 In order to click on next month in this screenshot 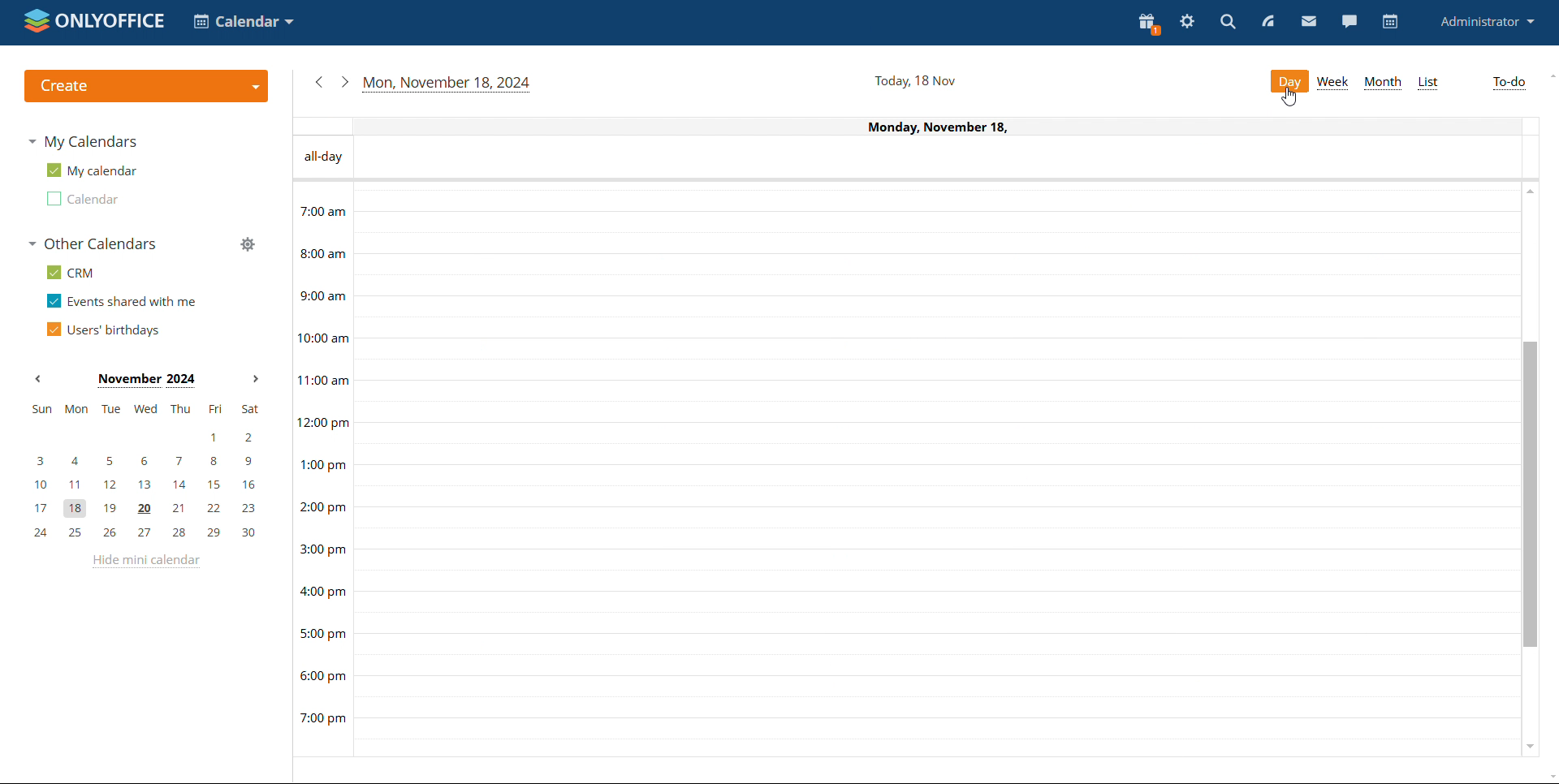, I will do `click(255, 379)`.